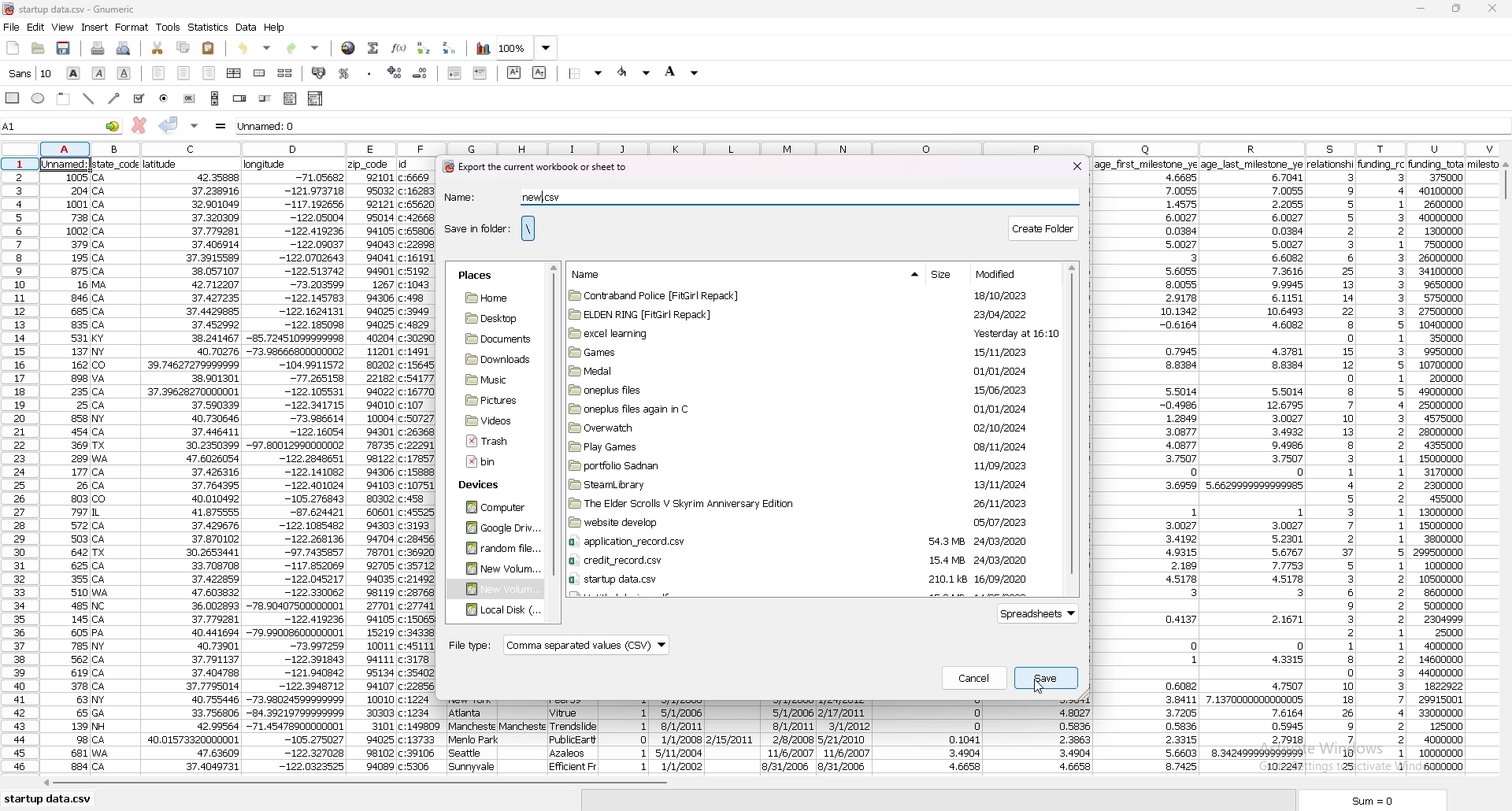 The height and width of the screenshot is (811, 1512). I want to click on function, so click(398, 48).